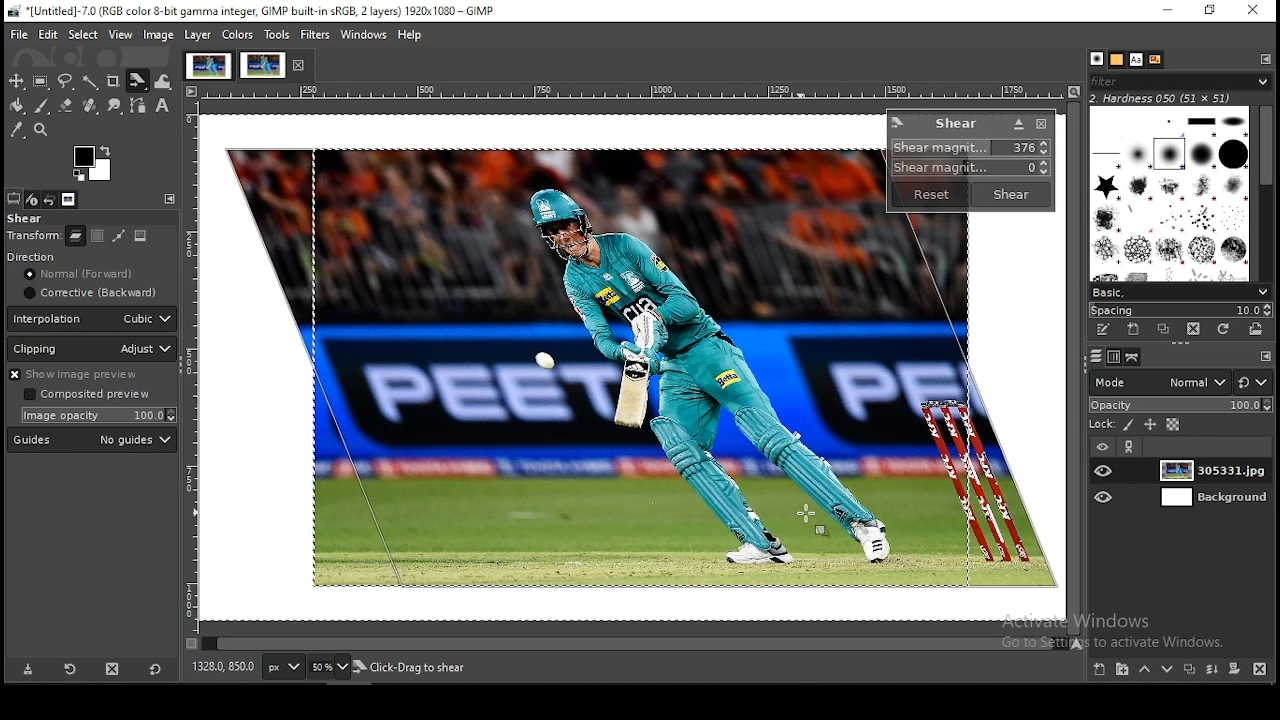 Image resolution: width=1280 pixels, height=720 pixels. Describe the element at coordinates (1193, 329) in the screenshot. I see `delete this brush` at that location.